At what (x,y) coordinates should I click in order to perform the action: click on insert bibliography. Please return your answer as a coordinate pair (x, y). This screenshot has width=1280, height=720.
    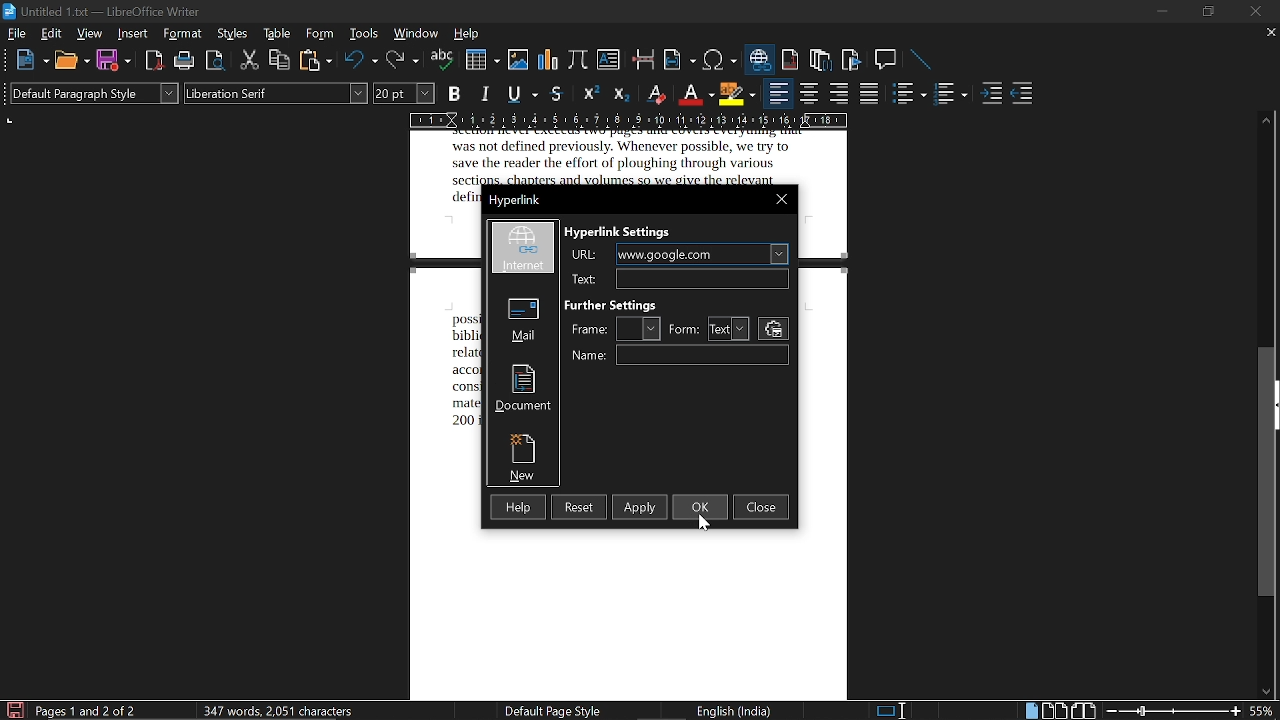
    Looking at the image, I should click on (849, 60).